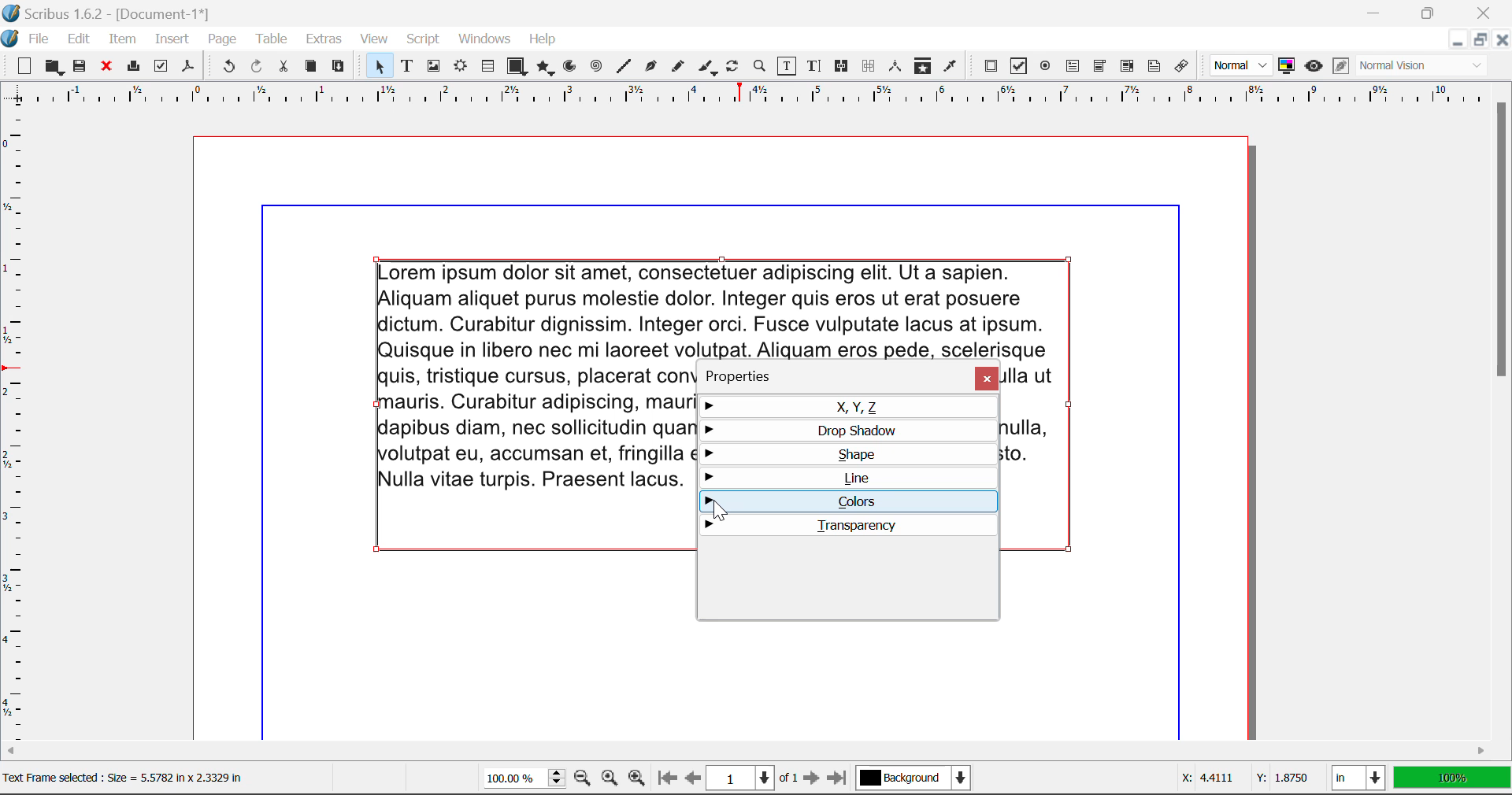 The height and width of the screenshot is (795, 1512). What do you see at coordinates (221, 40) in the screenshot?
I see `Page` at bounding box center [221, 40].